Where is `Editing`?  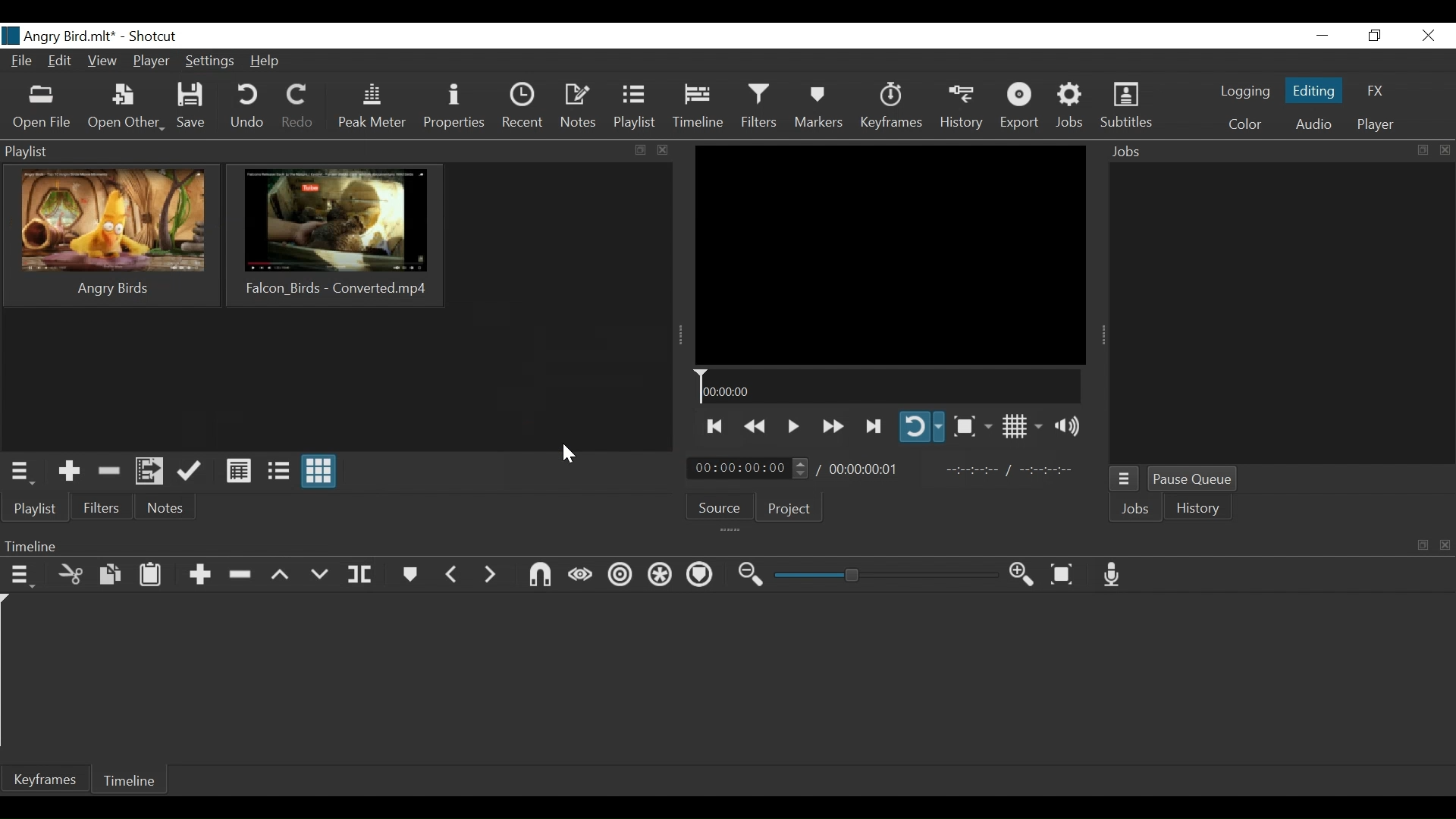 Editing is located at coordinates (1314, 91).